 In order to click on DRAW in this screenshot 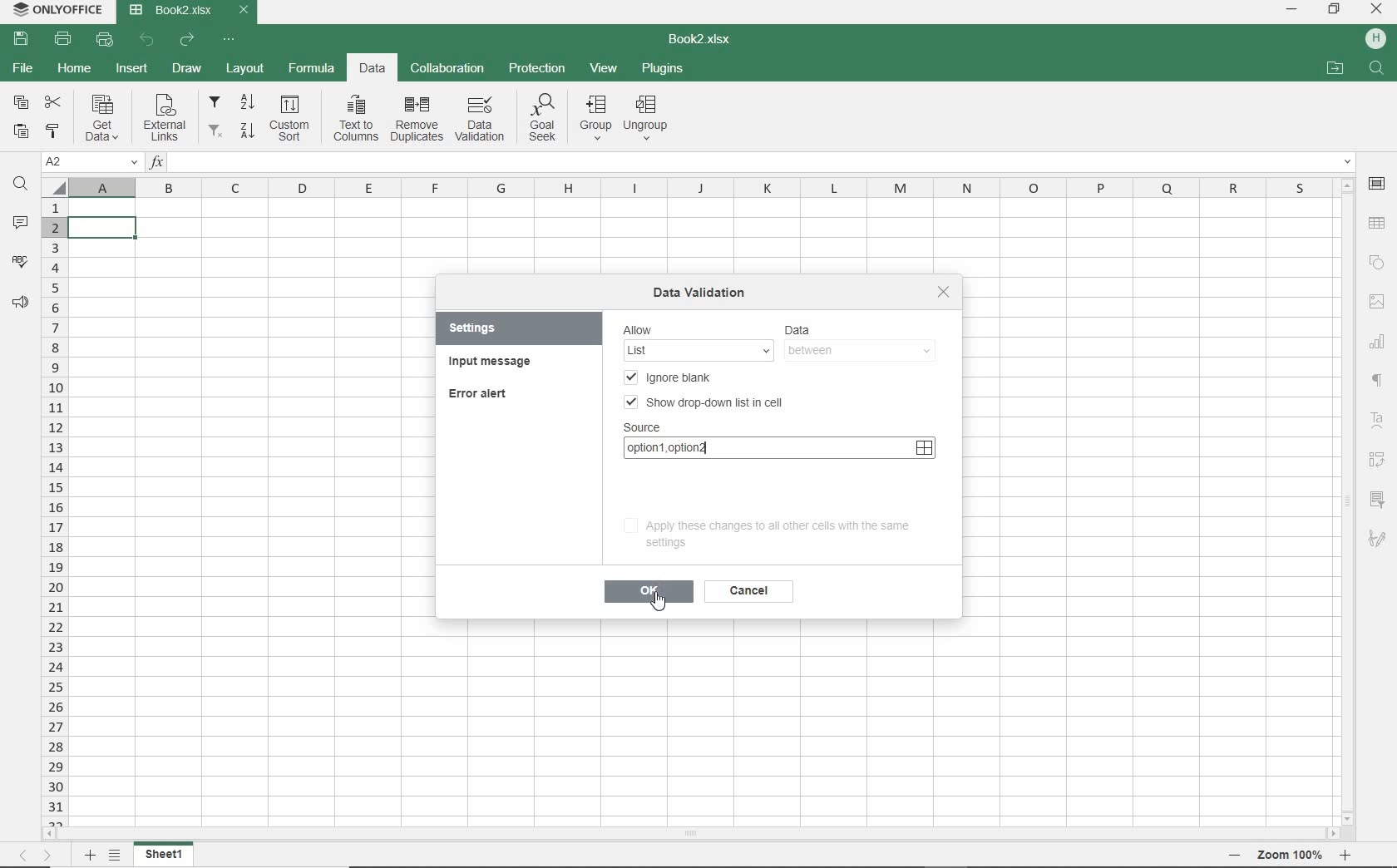, I will do `click(187, 68)`.